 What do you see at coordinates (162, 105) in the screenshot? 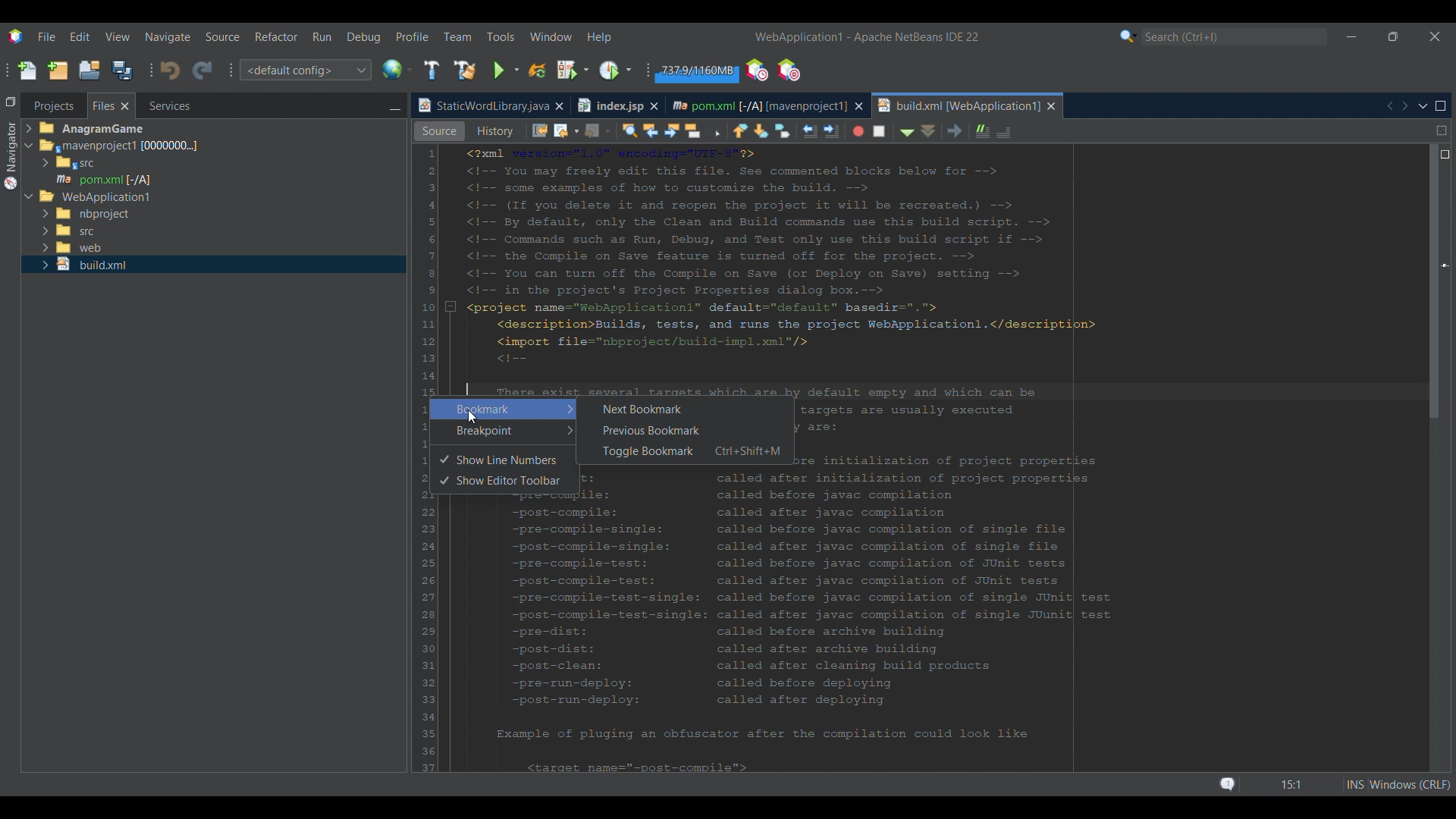
I see `Services, current tab highlighted` at bounding box center [162, 105].